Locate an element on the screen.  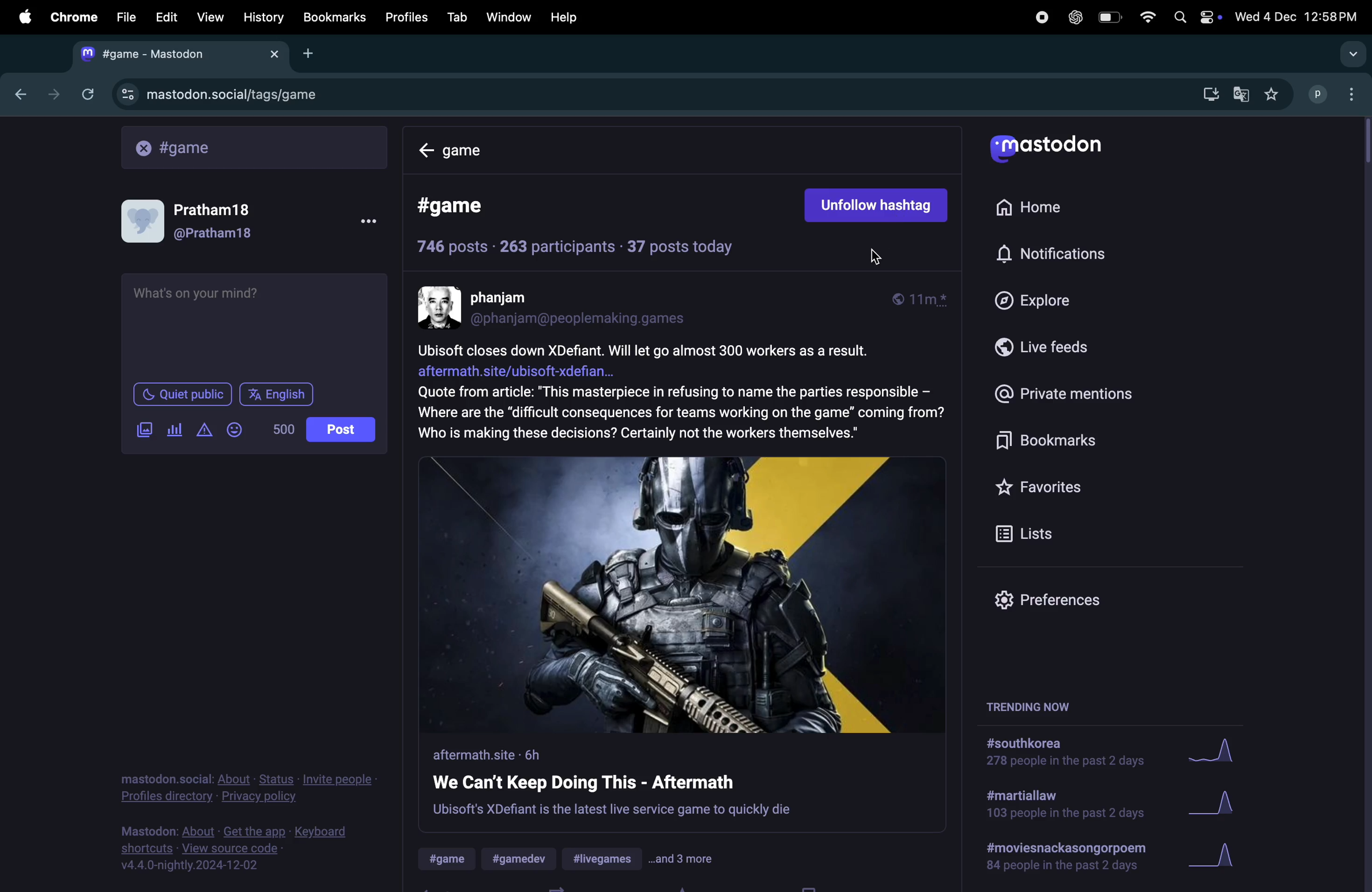
file is located at coordinates (125, 16).